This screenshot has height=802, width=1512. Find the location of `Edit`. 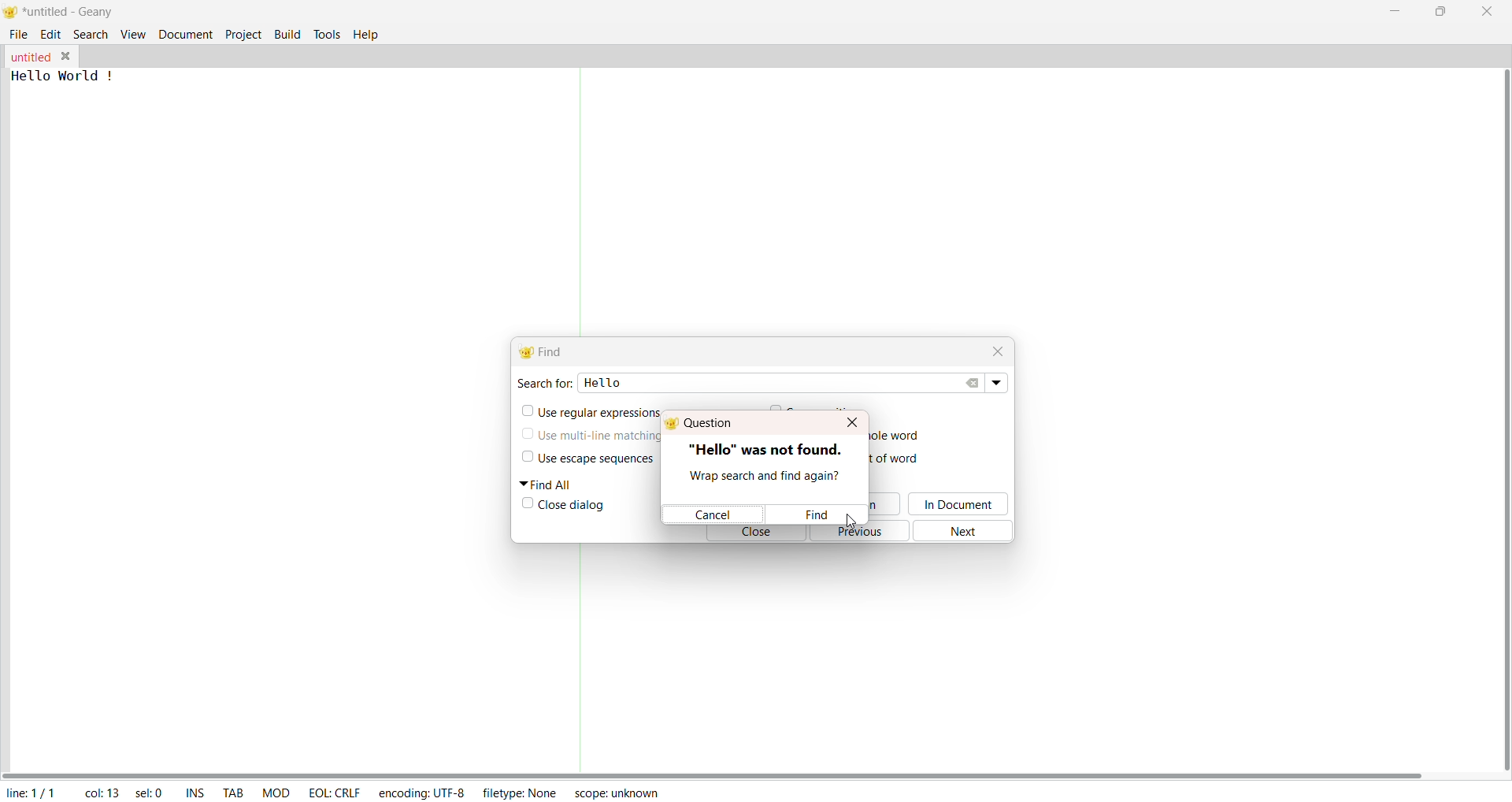

Edit is located at coordinates (51, 35).